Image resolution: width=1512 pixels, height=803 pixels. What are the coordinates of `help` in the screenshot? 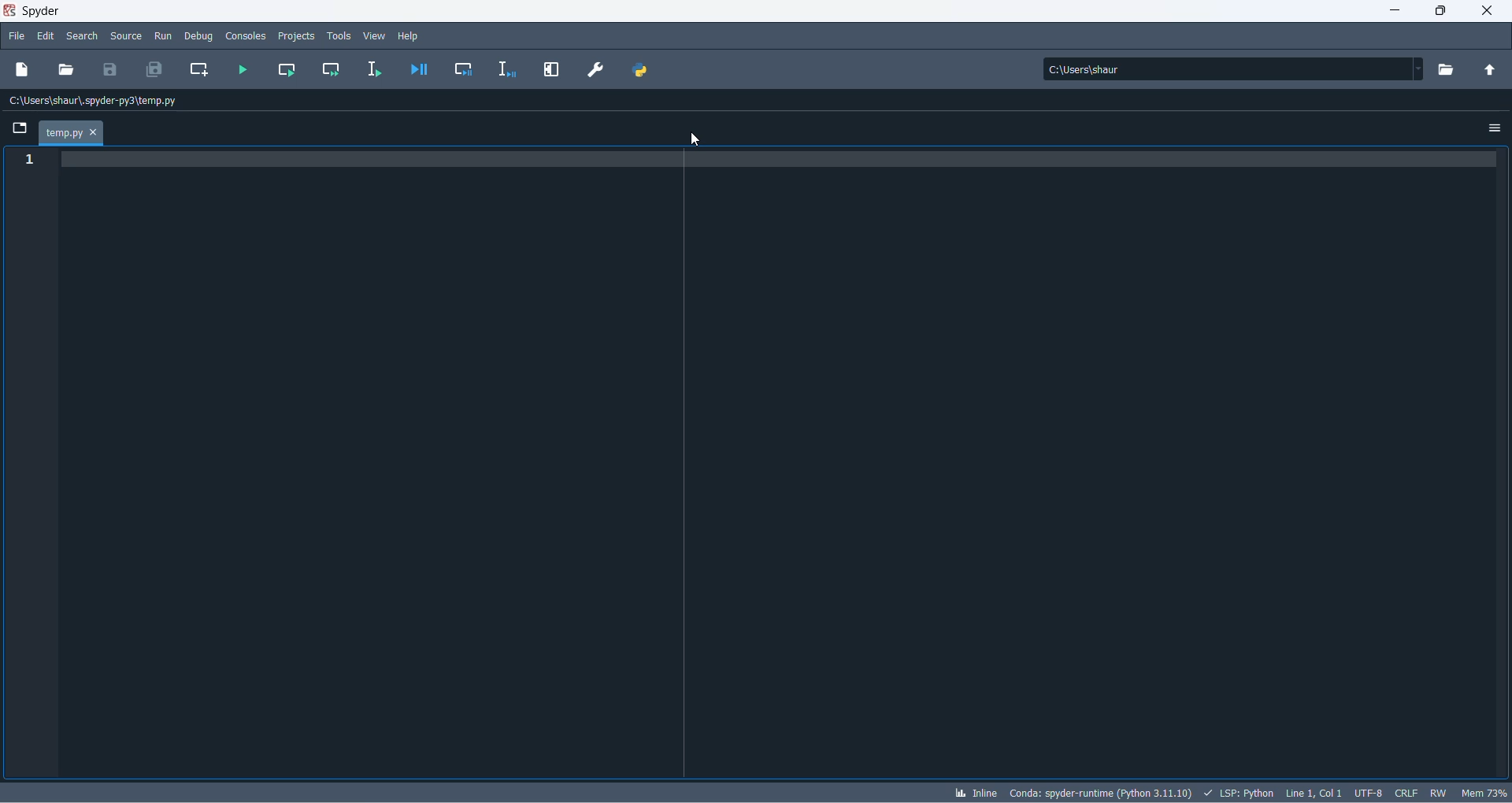 It's located at (409, 36).